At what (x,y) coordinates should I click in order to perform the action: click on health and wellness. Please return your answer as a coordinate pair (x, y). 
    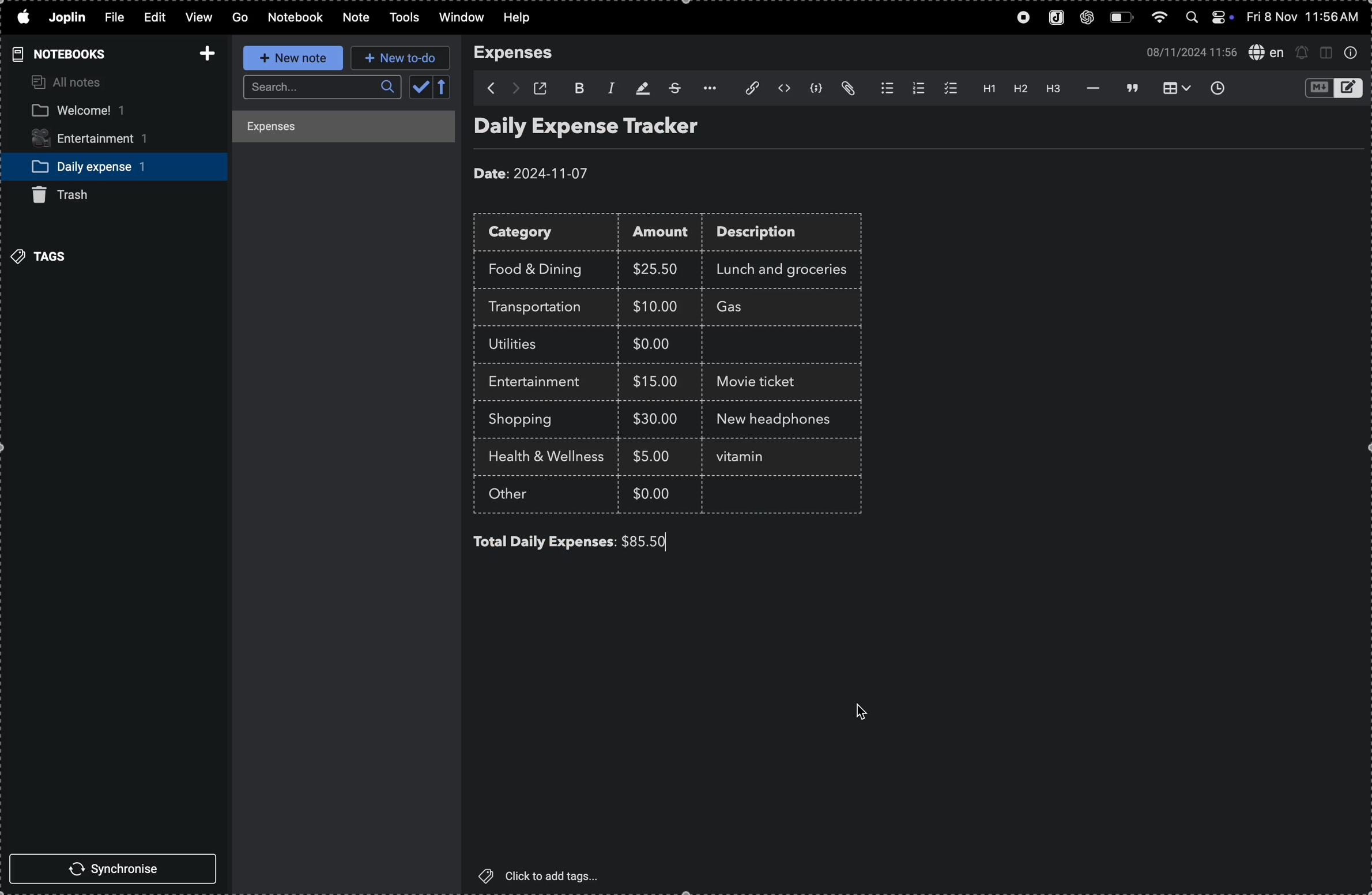
    Looking at the image, I should click on (552, 458).